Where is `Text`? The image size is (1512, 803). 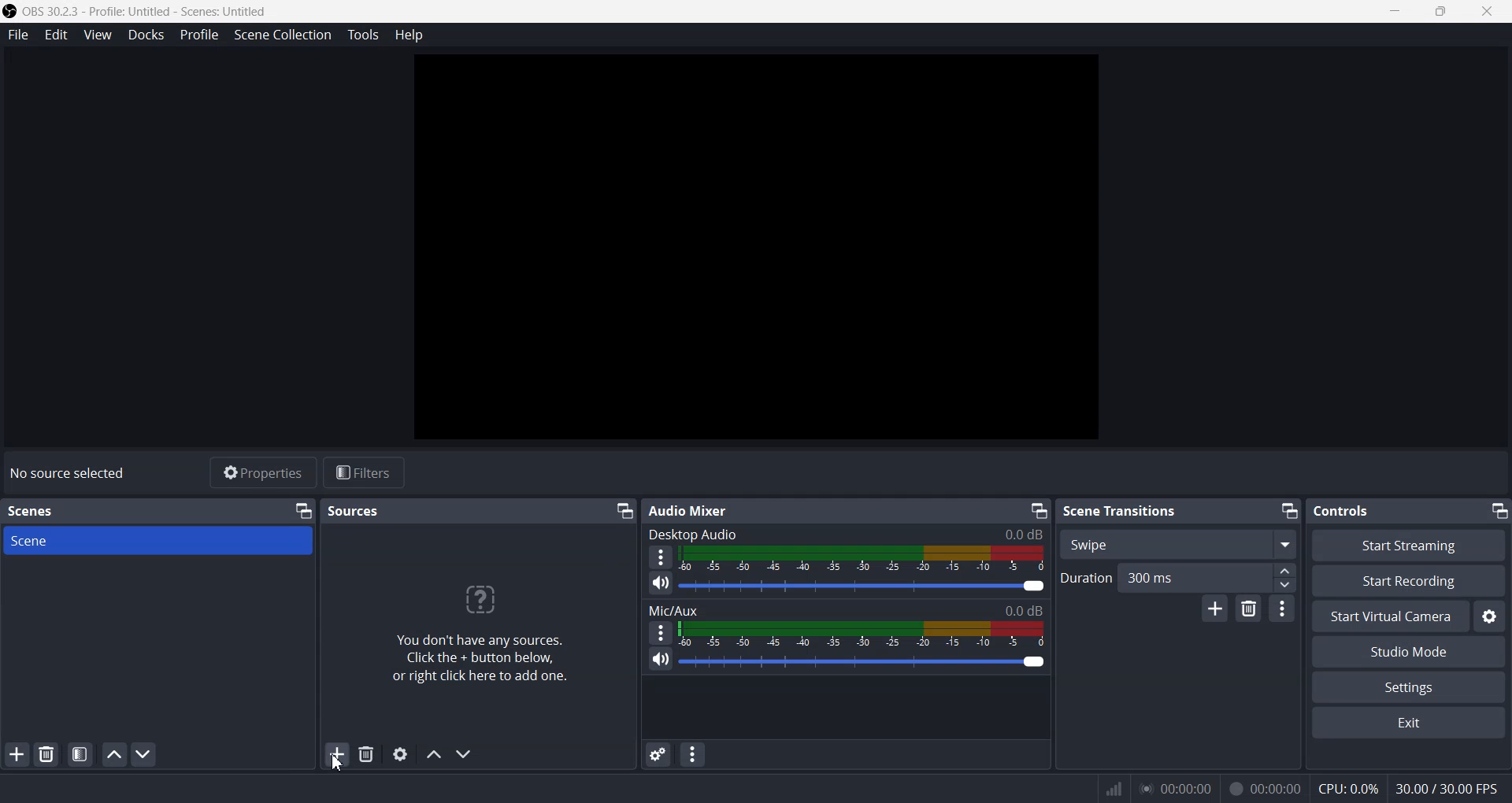
Text is located at coordinates (691, 511).